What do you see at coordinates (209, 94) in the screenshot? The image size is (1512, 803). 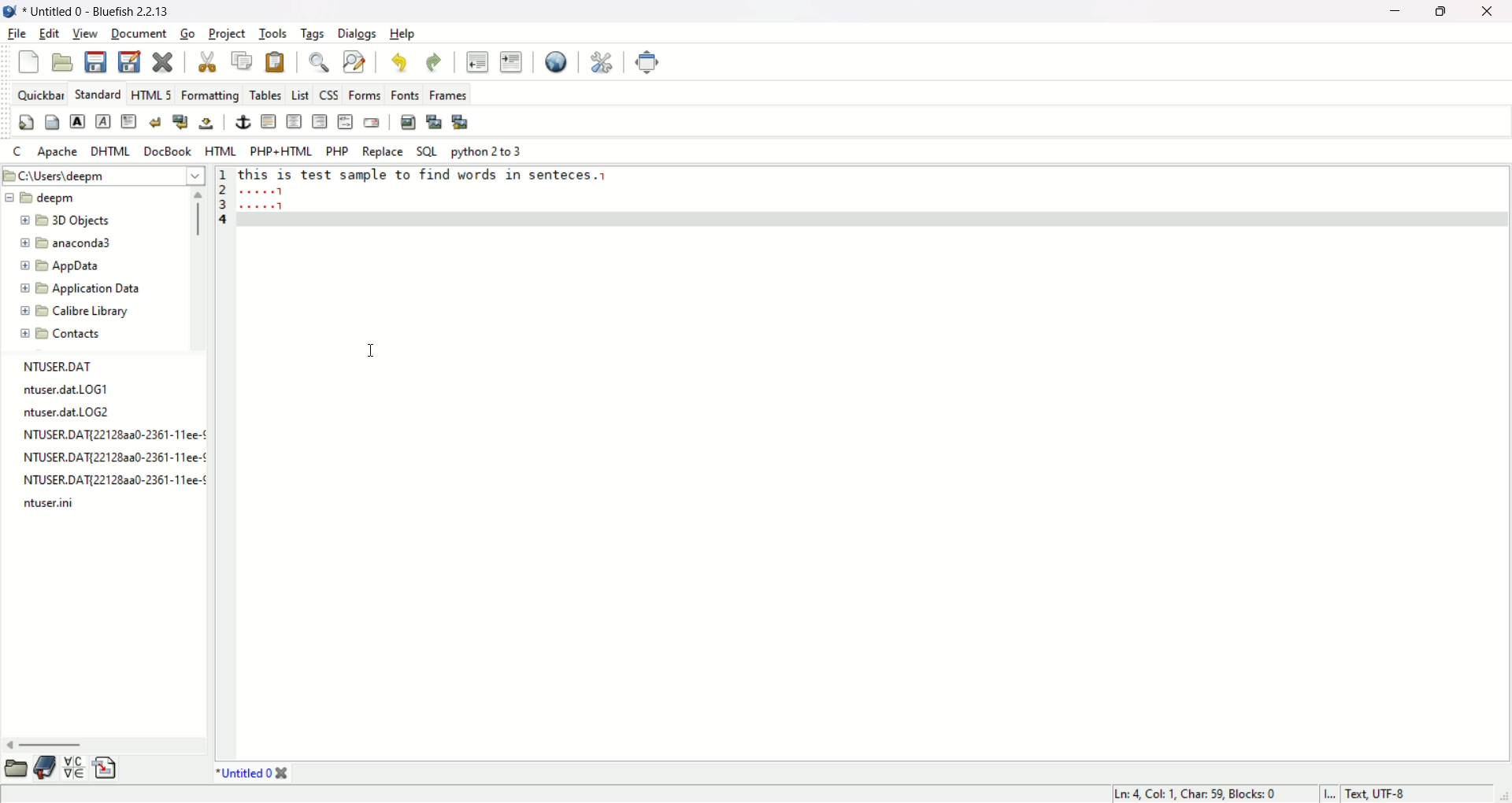 I see `formatting` at bounding box center [209, 94].